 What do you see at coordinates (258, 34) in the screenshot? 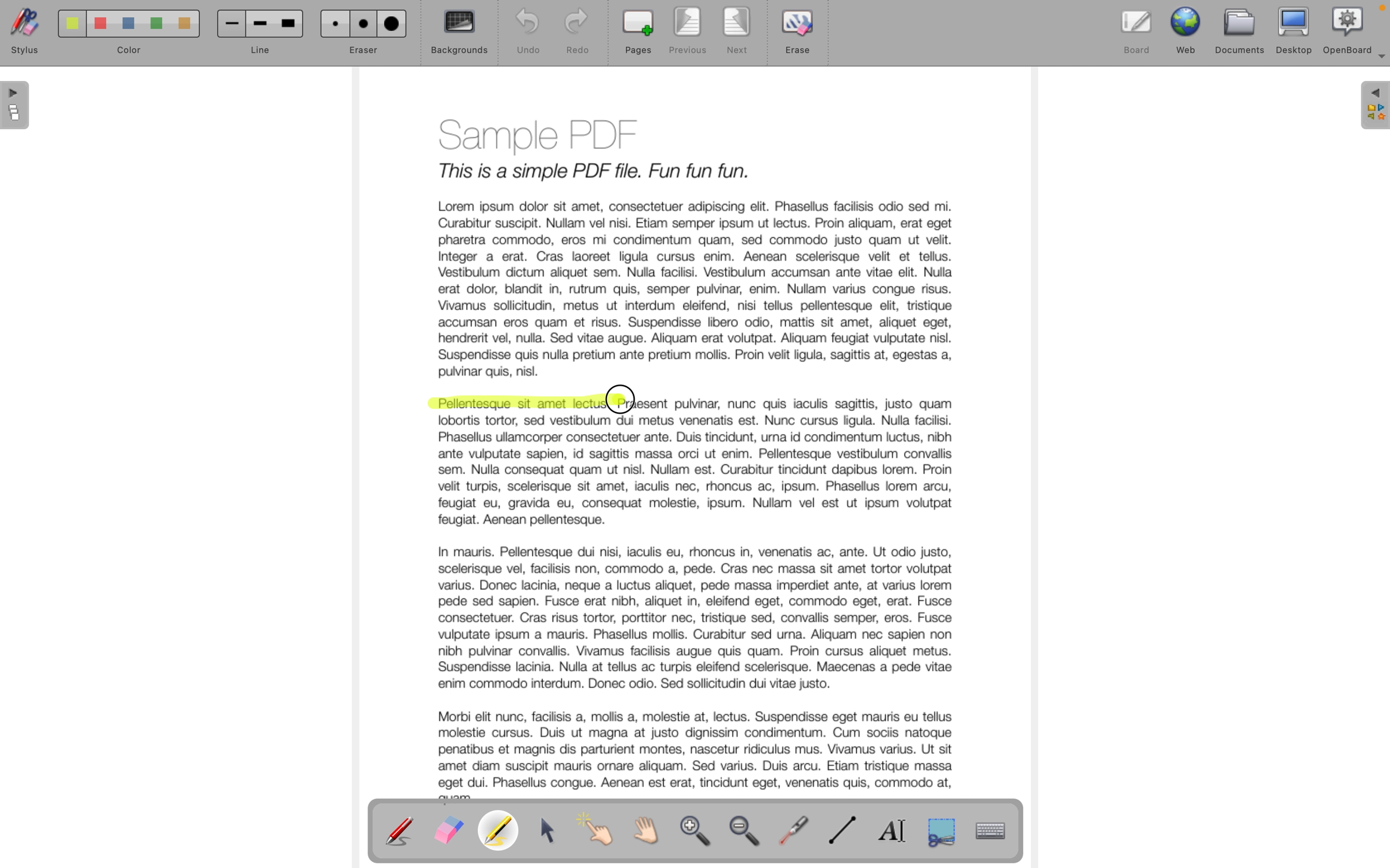
I see `line` at bounding box center [258, 34].